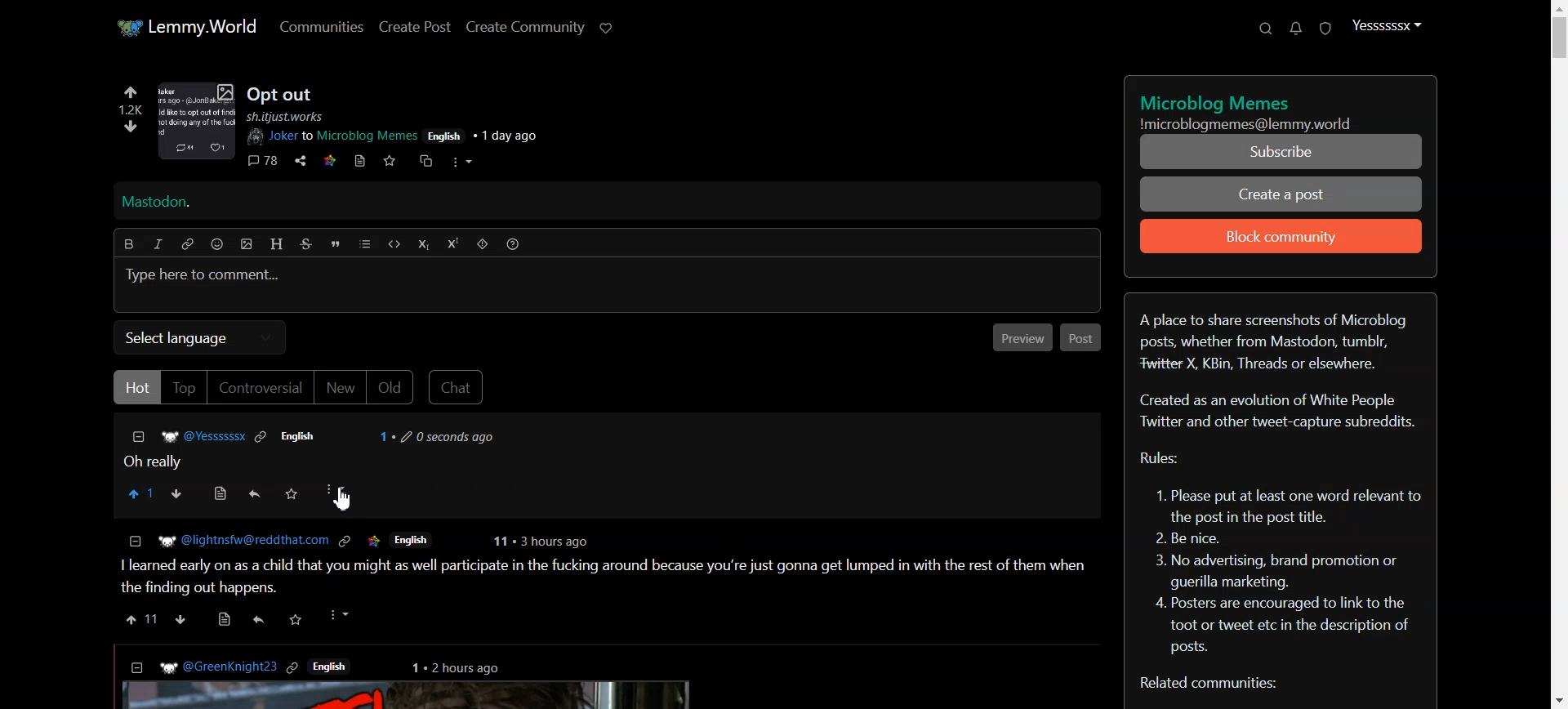  I want to click on posts, so click(597, 677).